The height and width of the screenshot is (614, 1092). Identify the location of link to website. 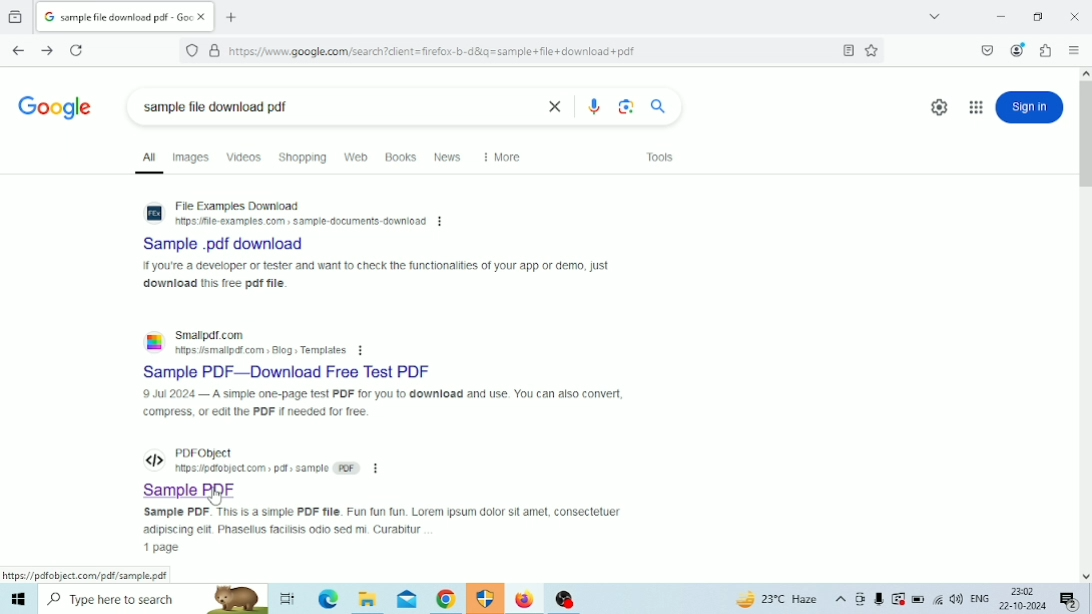
(268, 468).